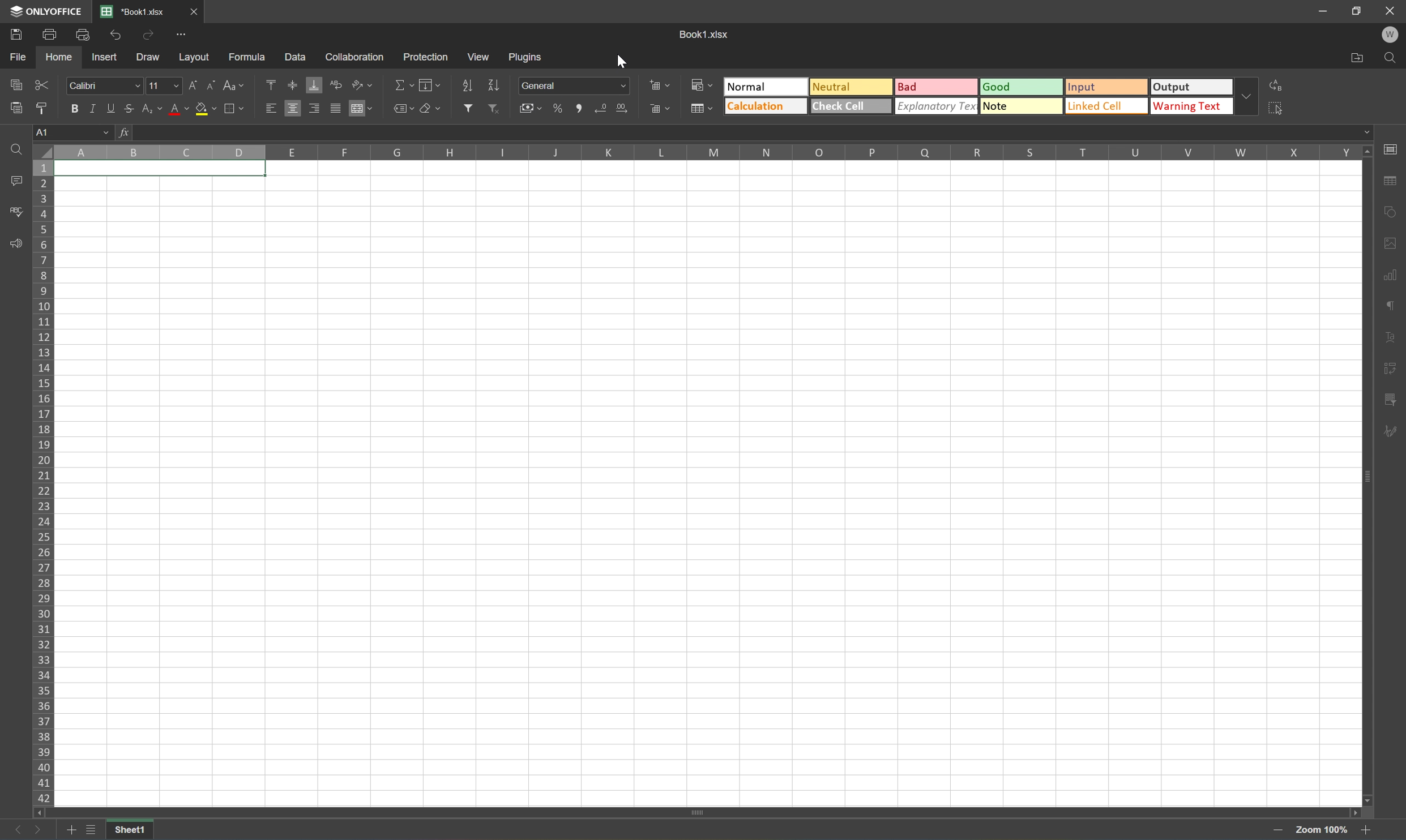  What do you see at coordinates (314, 110) in the screenshot?
I see `Align right` at bounding box center [314, 110].